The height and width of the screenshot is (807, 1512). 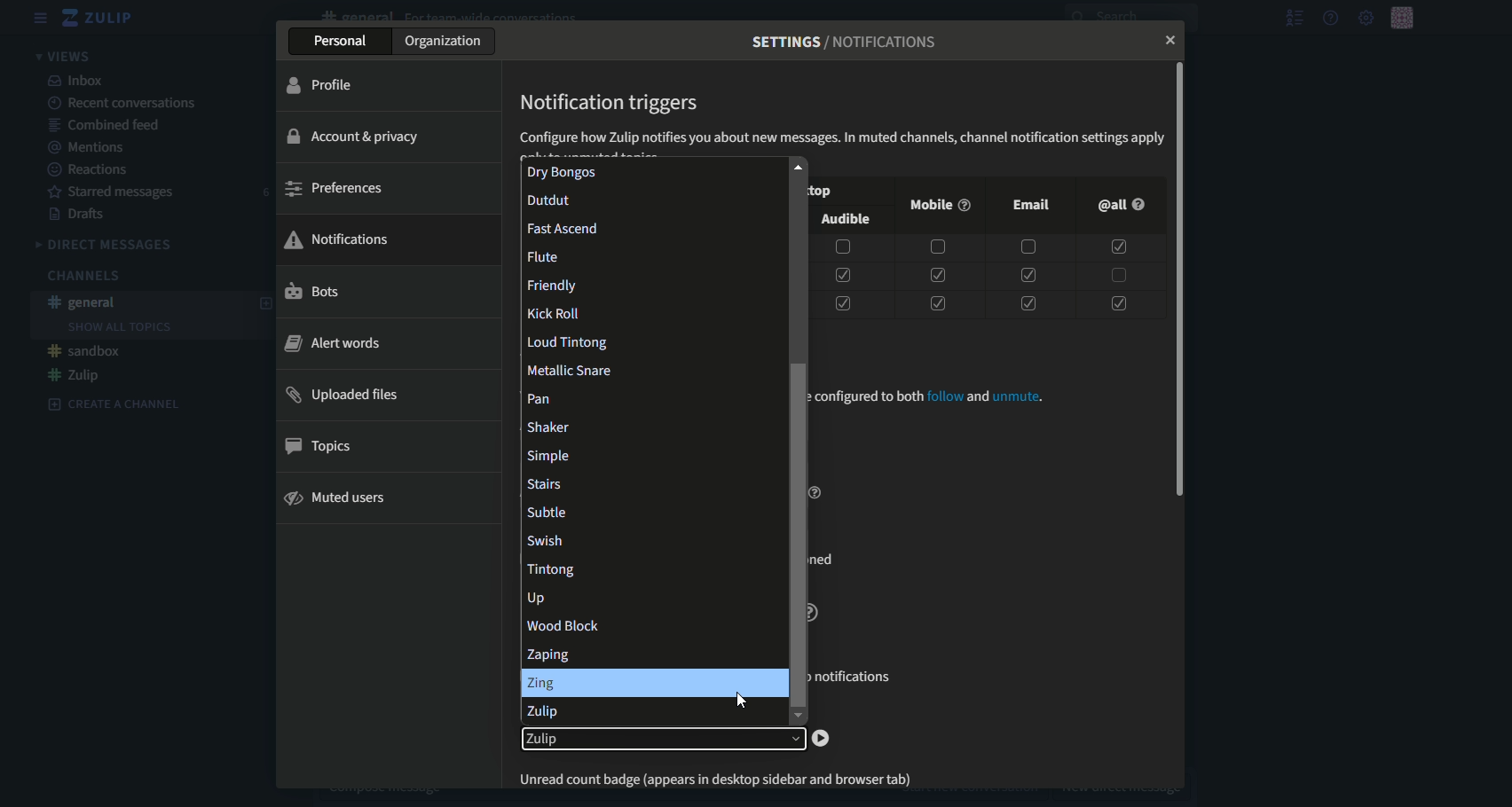 I want to click on organization, so click(x=447, y=42).